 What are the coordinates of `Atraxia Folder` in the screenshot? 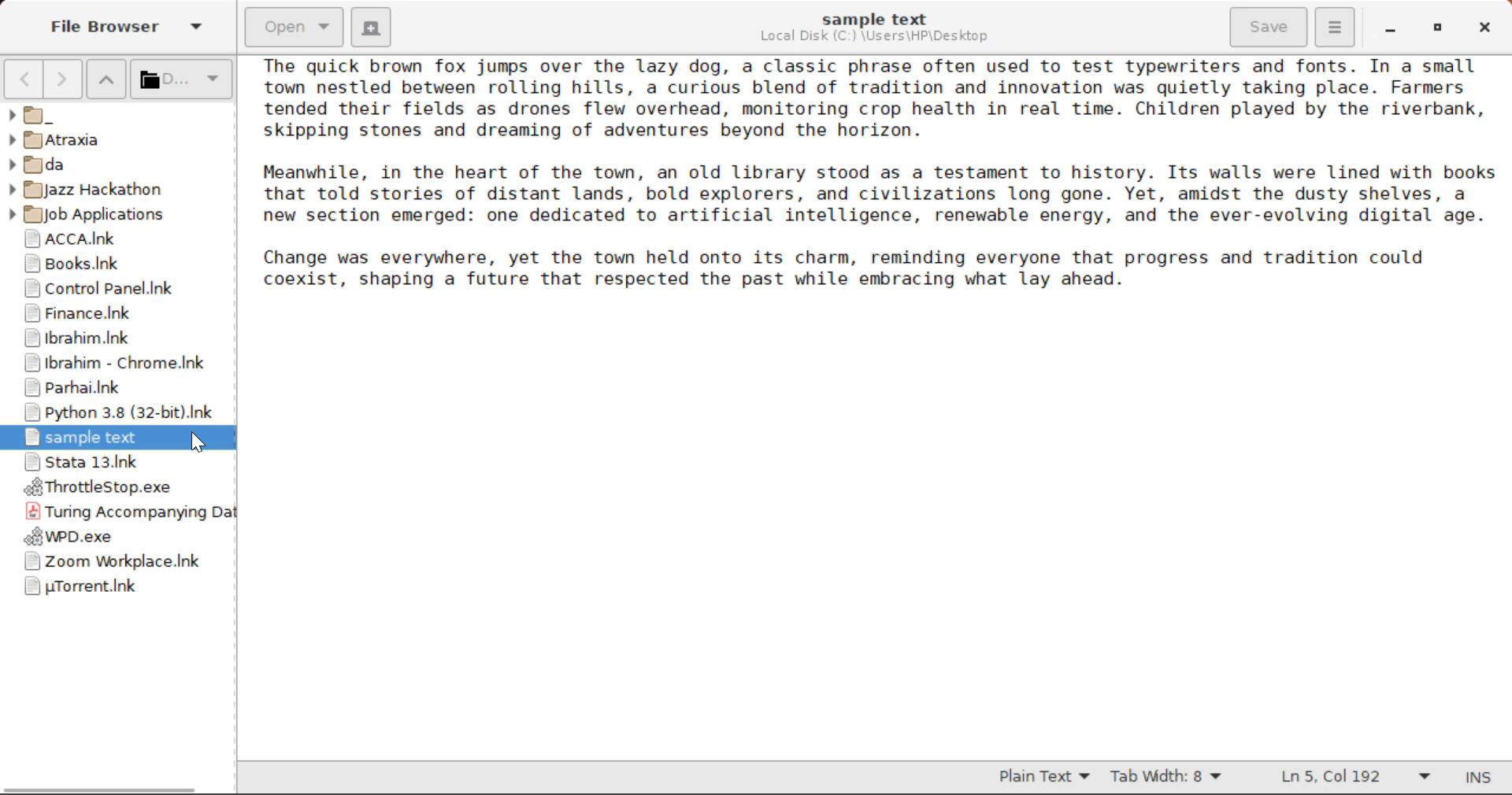 It's located at (117, 139).